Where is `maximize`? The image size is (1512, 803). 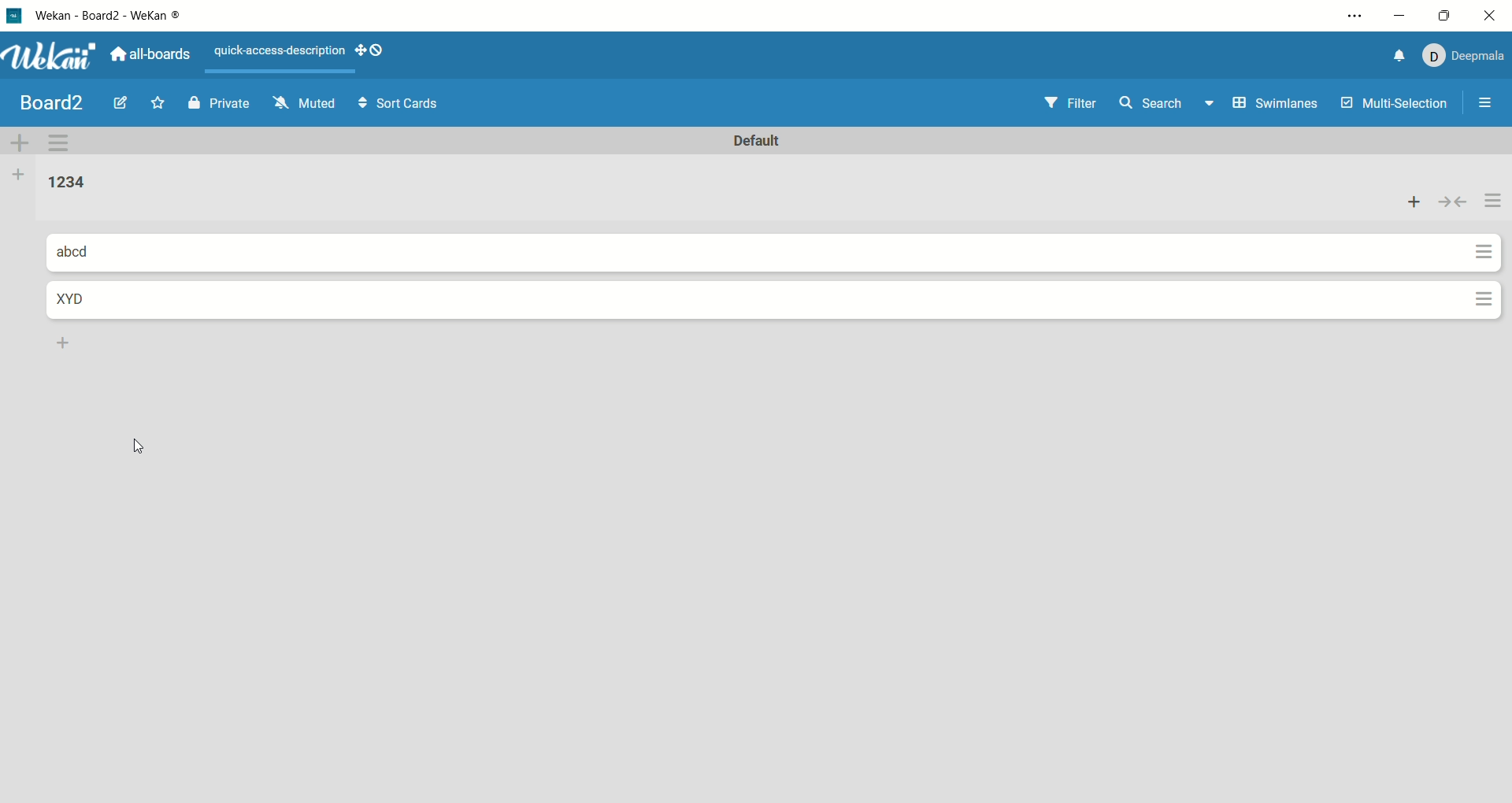 maximize is located at coordinates (1447, 12).